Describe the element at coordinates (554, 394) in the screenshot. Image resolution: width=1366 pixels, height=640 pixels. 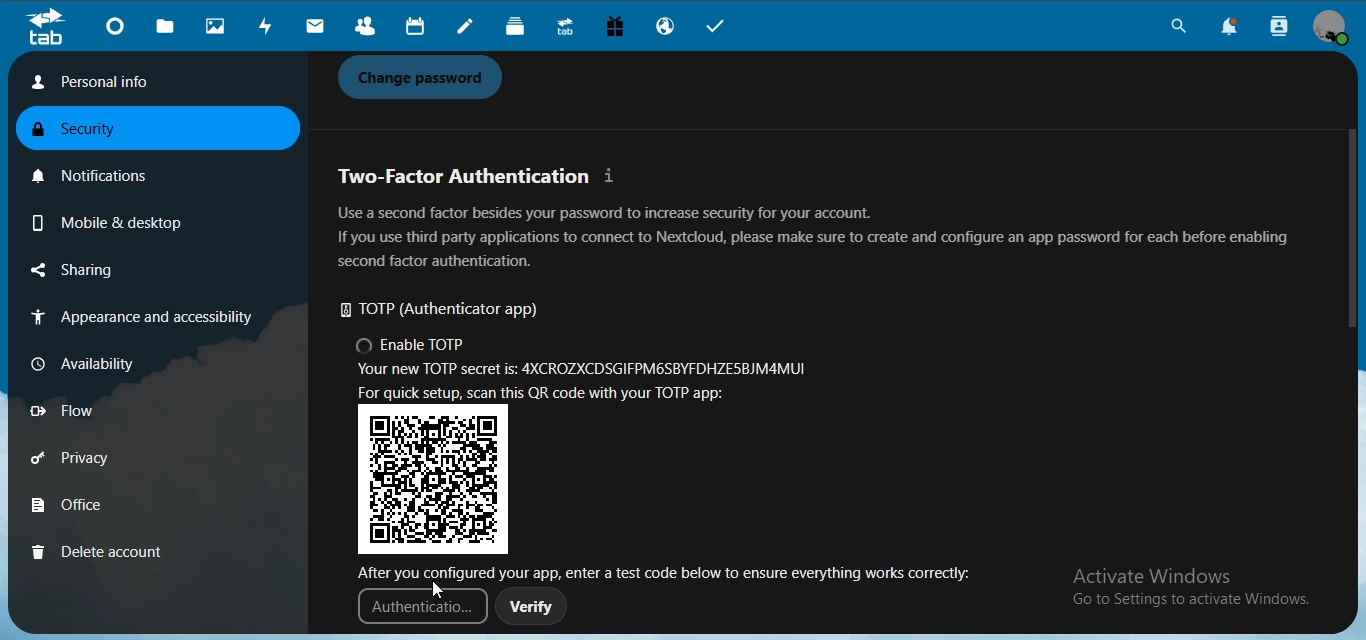
I see `scan qr code` at that location.